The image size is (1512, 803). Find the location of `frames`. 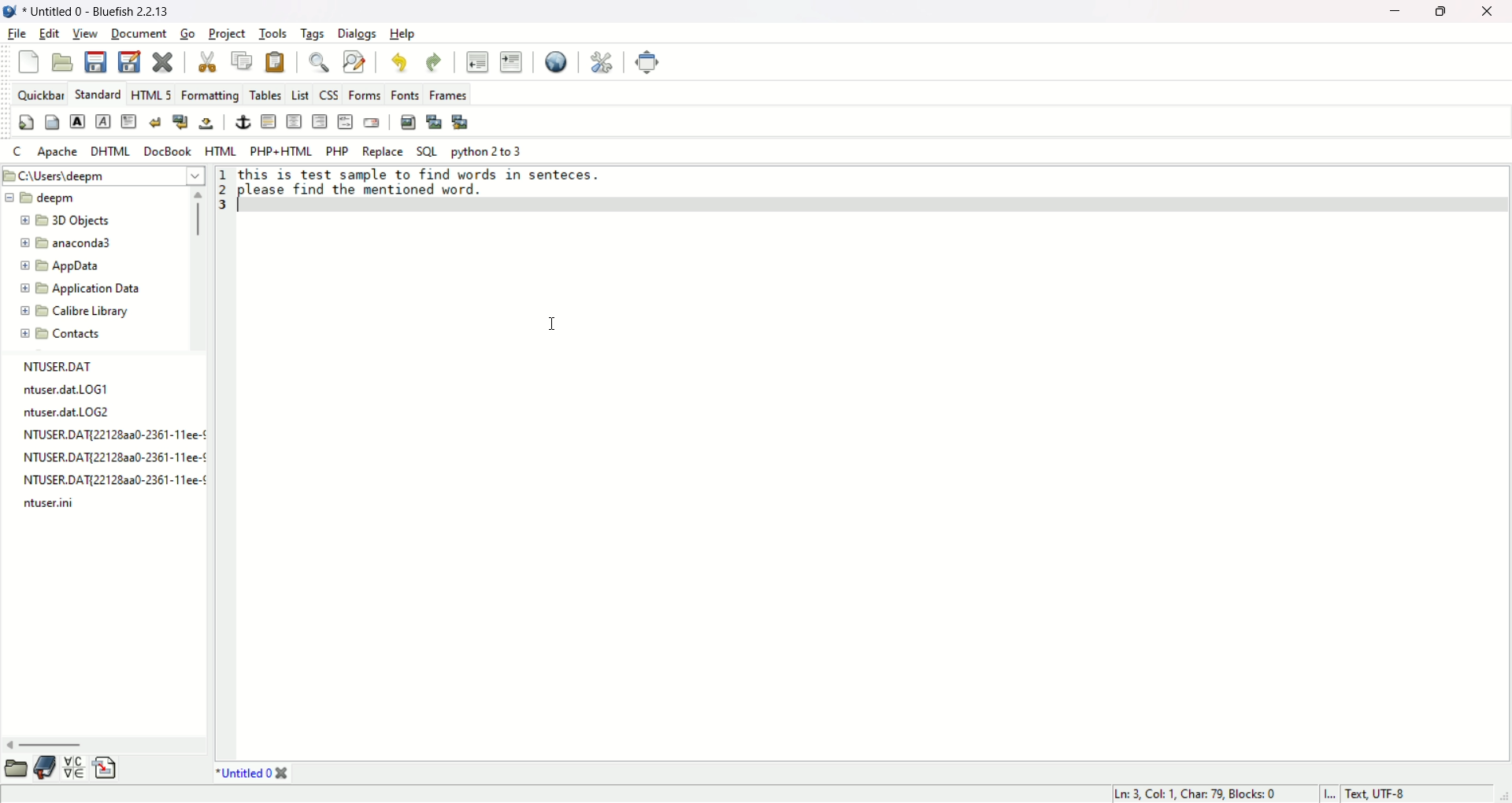

frames is located at coordinates (447, 94).